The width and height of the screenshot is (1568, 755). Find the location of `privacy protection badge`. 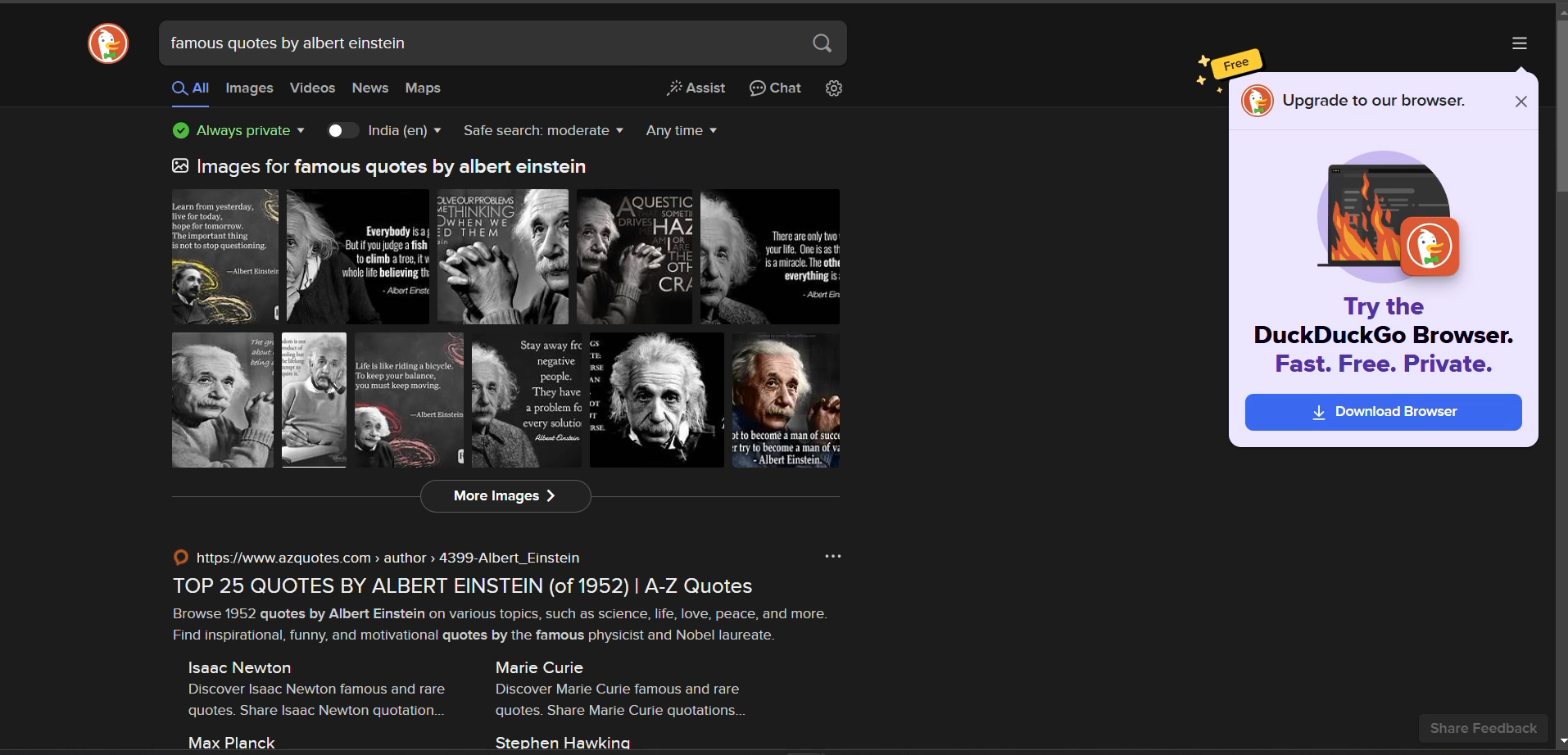

privacy protection badge is located at coordinates (240, 130).